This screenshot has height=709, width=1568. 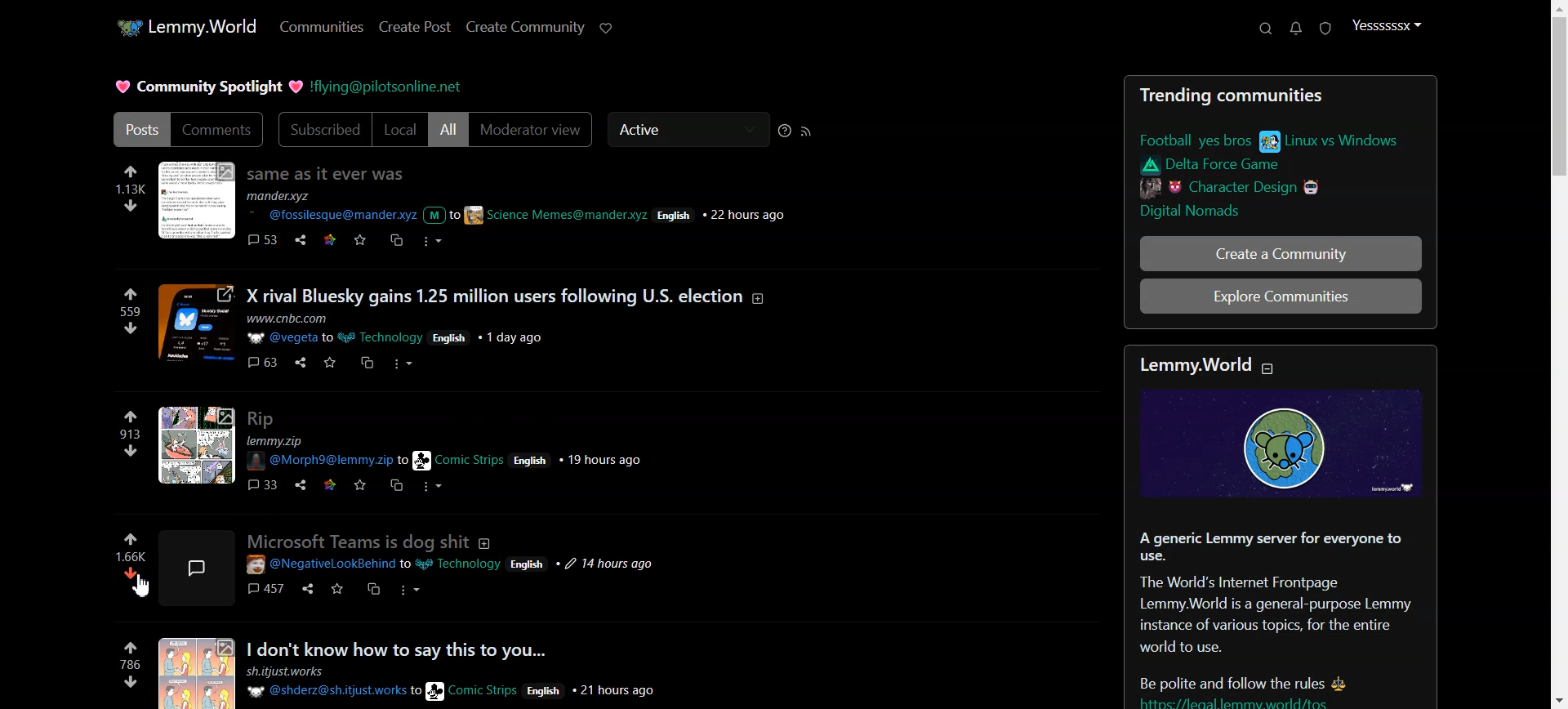 I want to click on Posts, so click(x=140, y=130).